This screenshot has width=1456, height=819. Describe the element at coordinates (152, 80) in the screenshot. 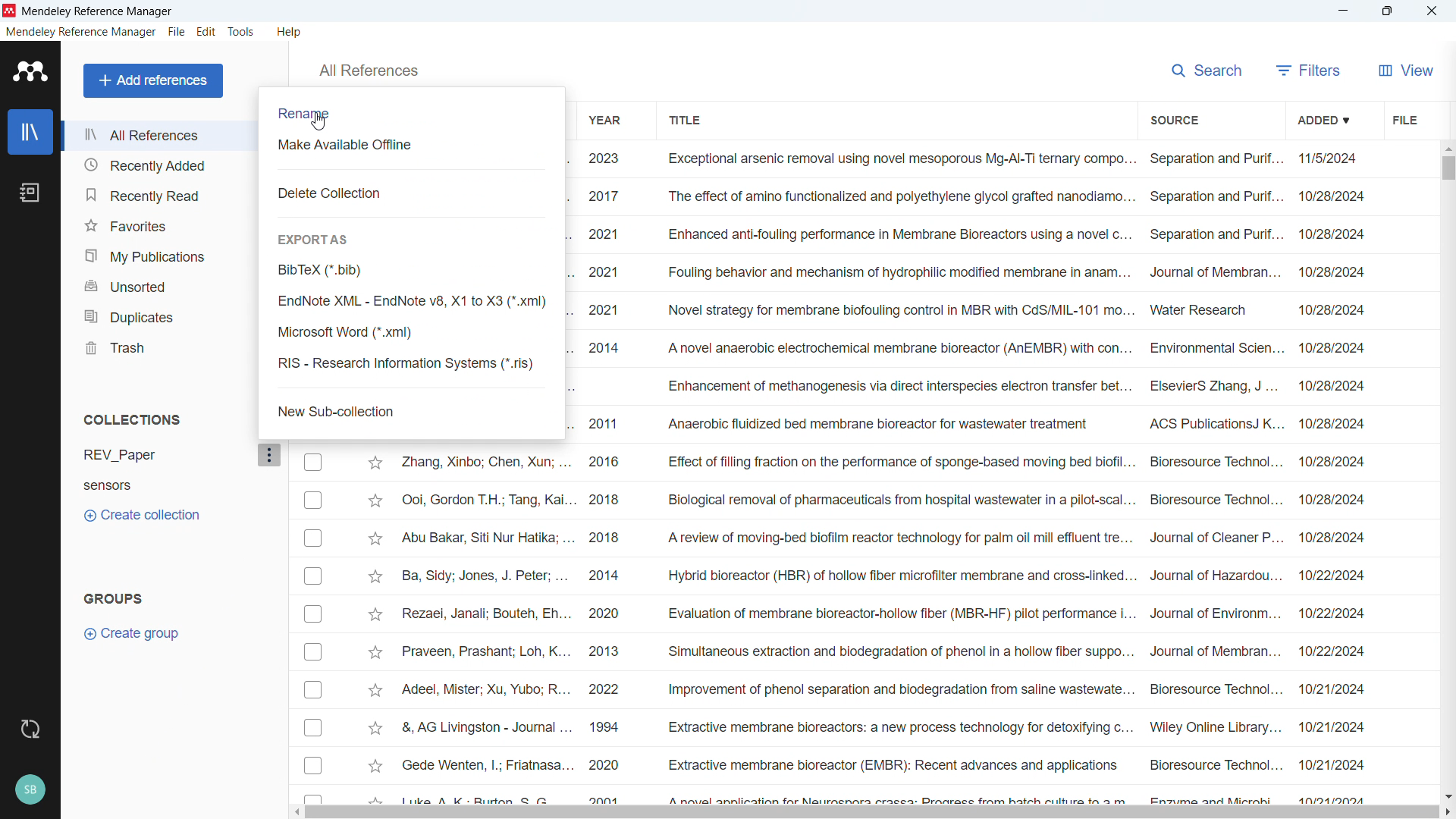

I see `Add references ` at that location.